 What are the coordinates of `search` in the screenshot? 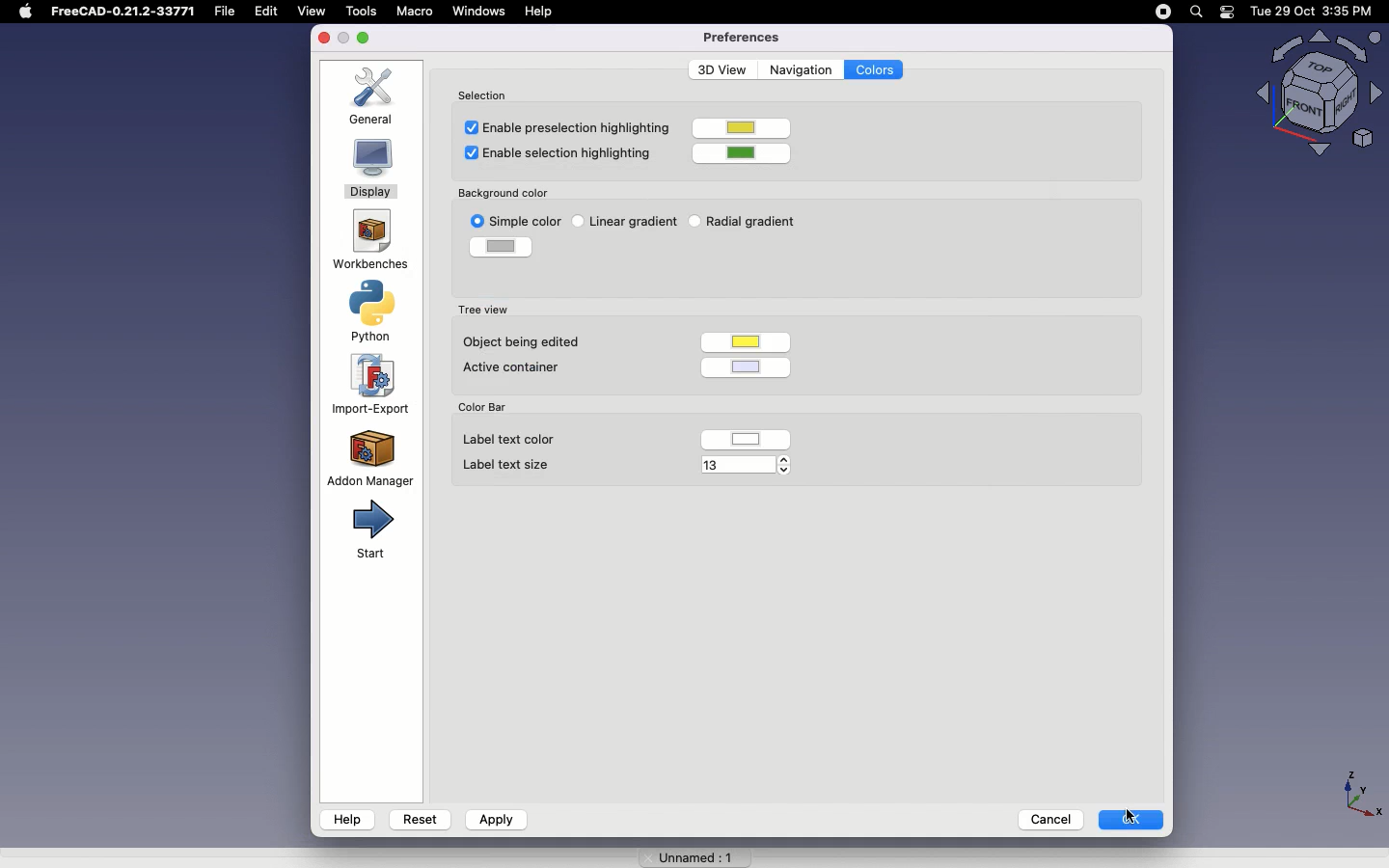 It's located at (1195, 12).